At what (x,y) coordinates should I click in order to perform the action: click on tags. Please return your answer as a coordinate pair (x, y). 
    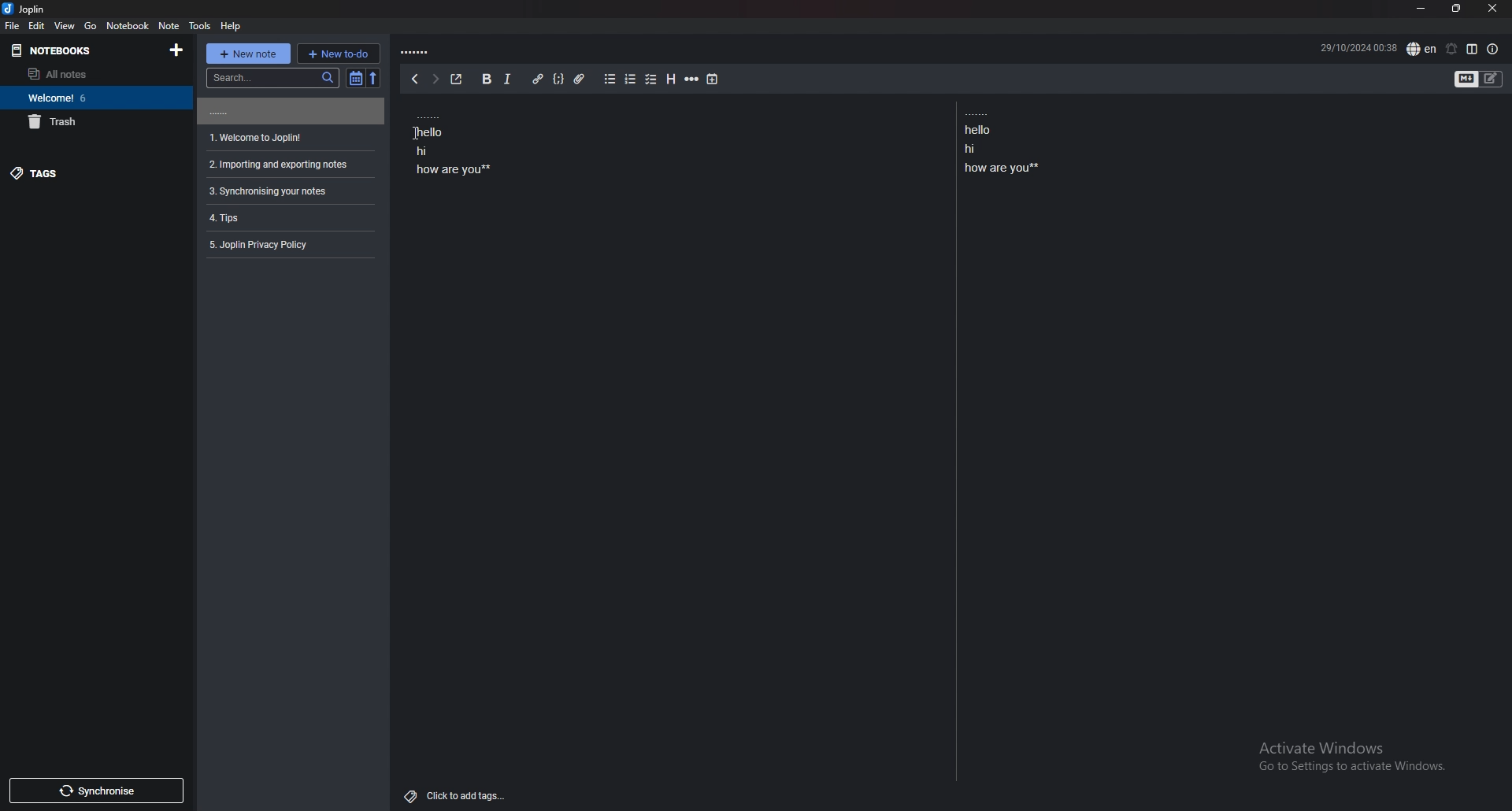
    Looking at the image, I should click on (91, 174).